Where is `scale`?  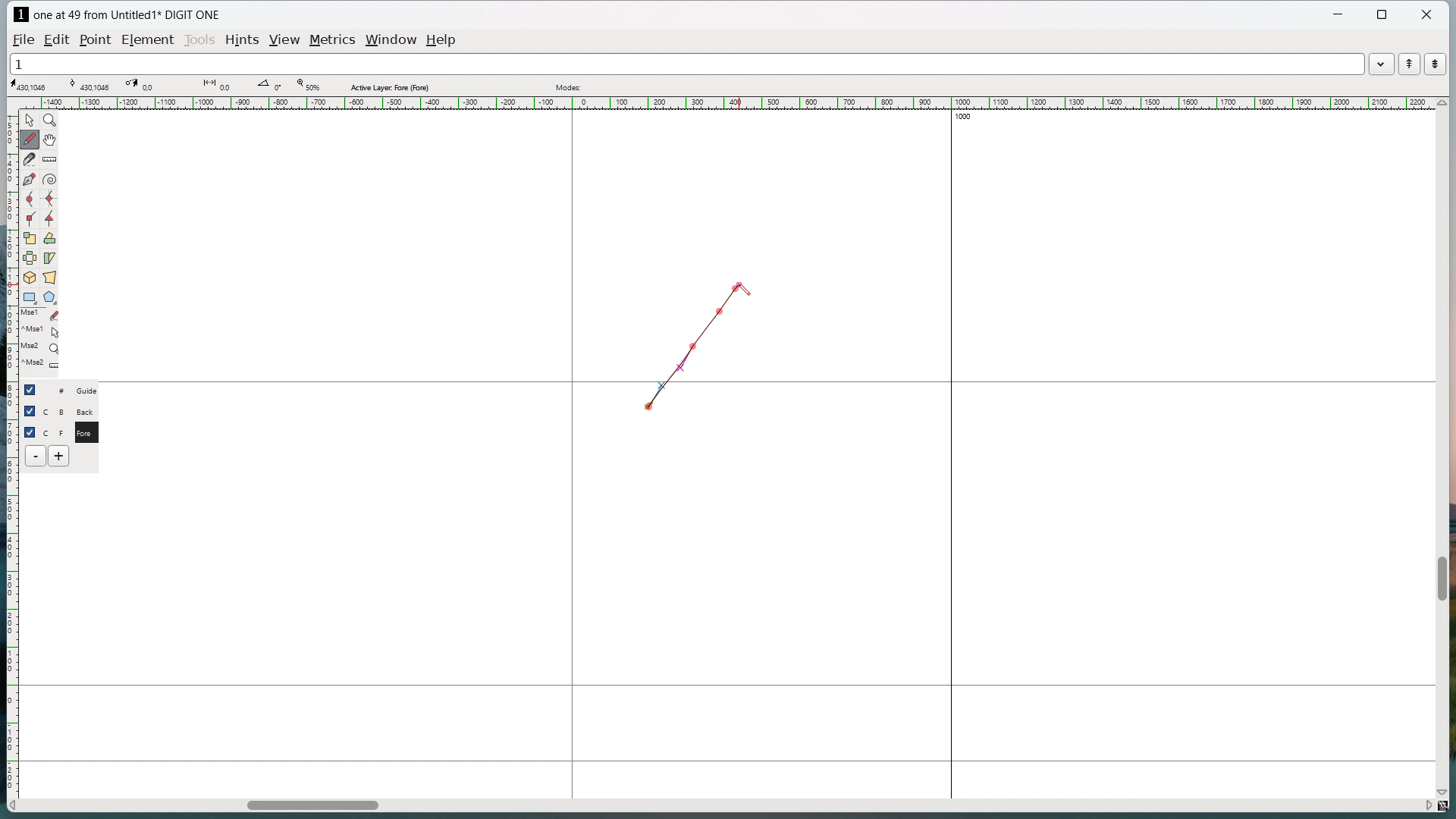
scale is located at coordinates (30, 237).